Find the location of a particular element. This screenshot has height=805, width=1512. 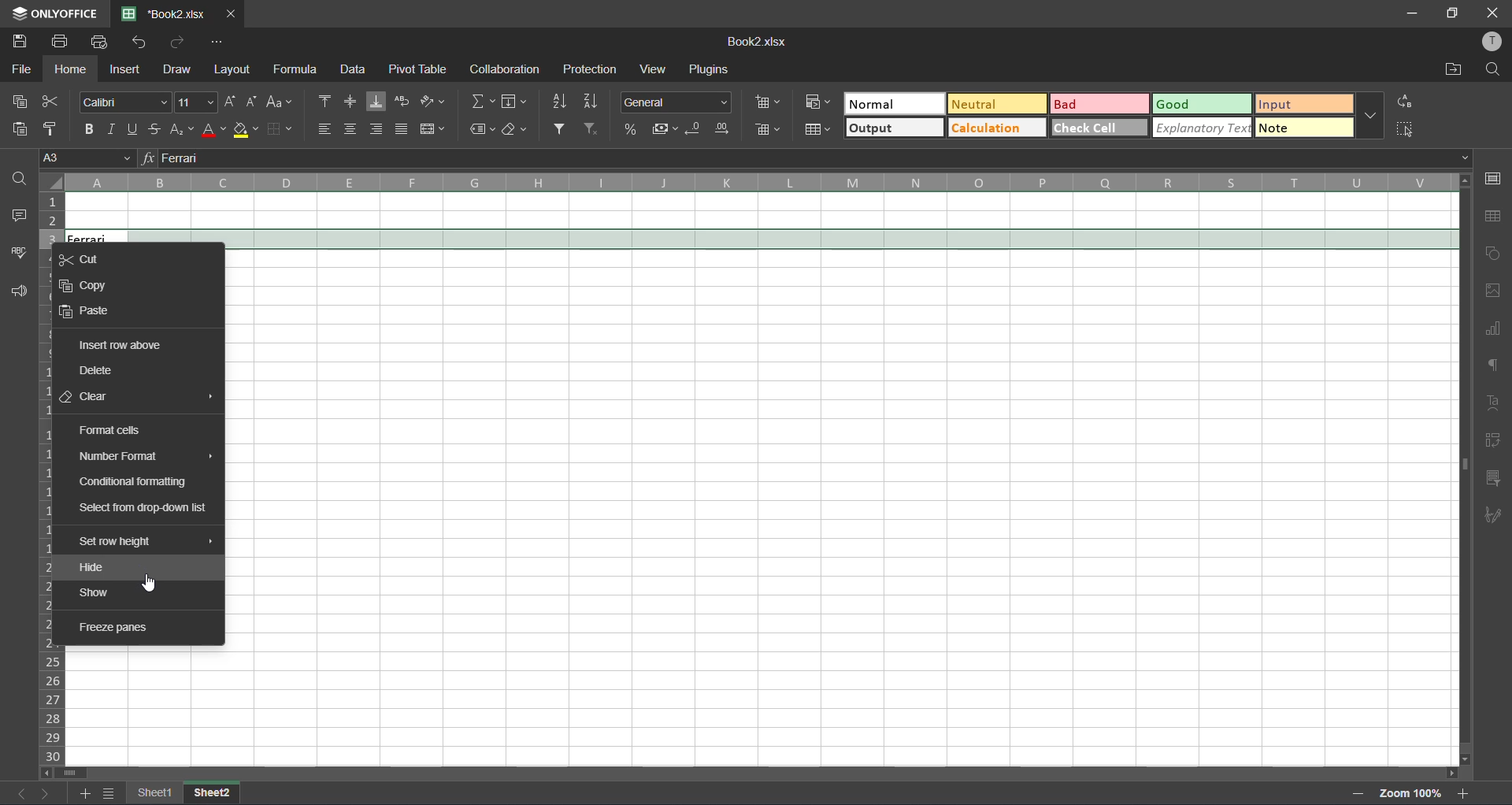

cell settings is located at coordinates (1497, 178).